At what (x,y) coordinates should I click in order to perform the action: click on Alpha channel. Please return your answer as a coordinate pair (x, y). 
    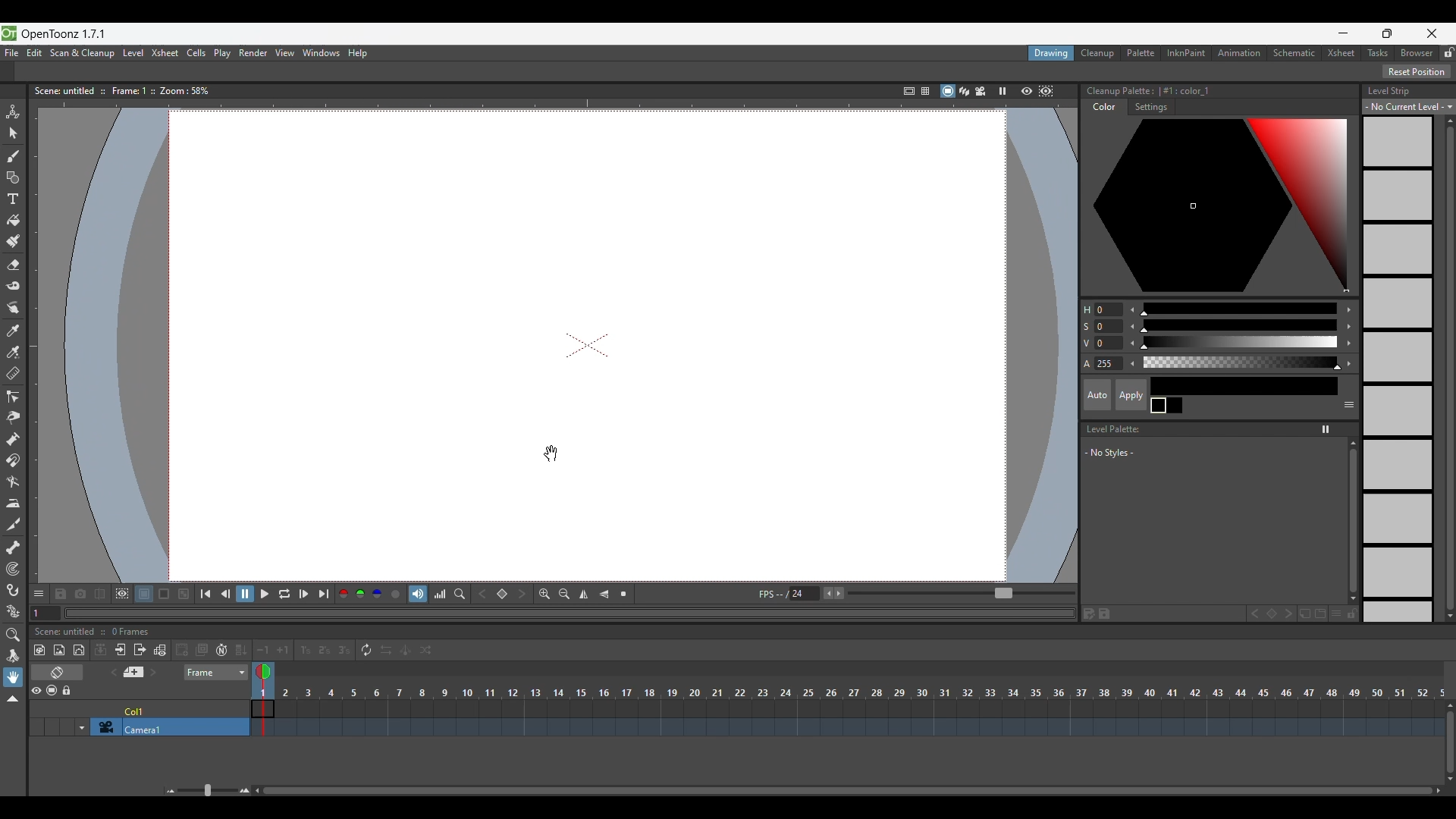
    Looking at the image, I should click on (396, 594).